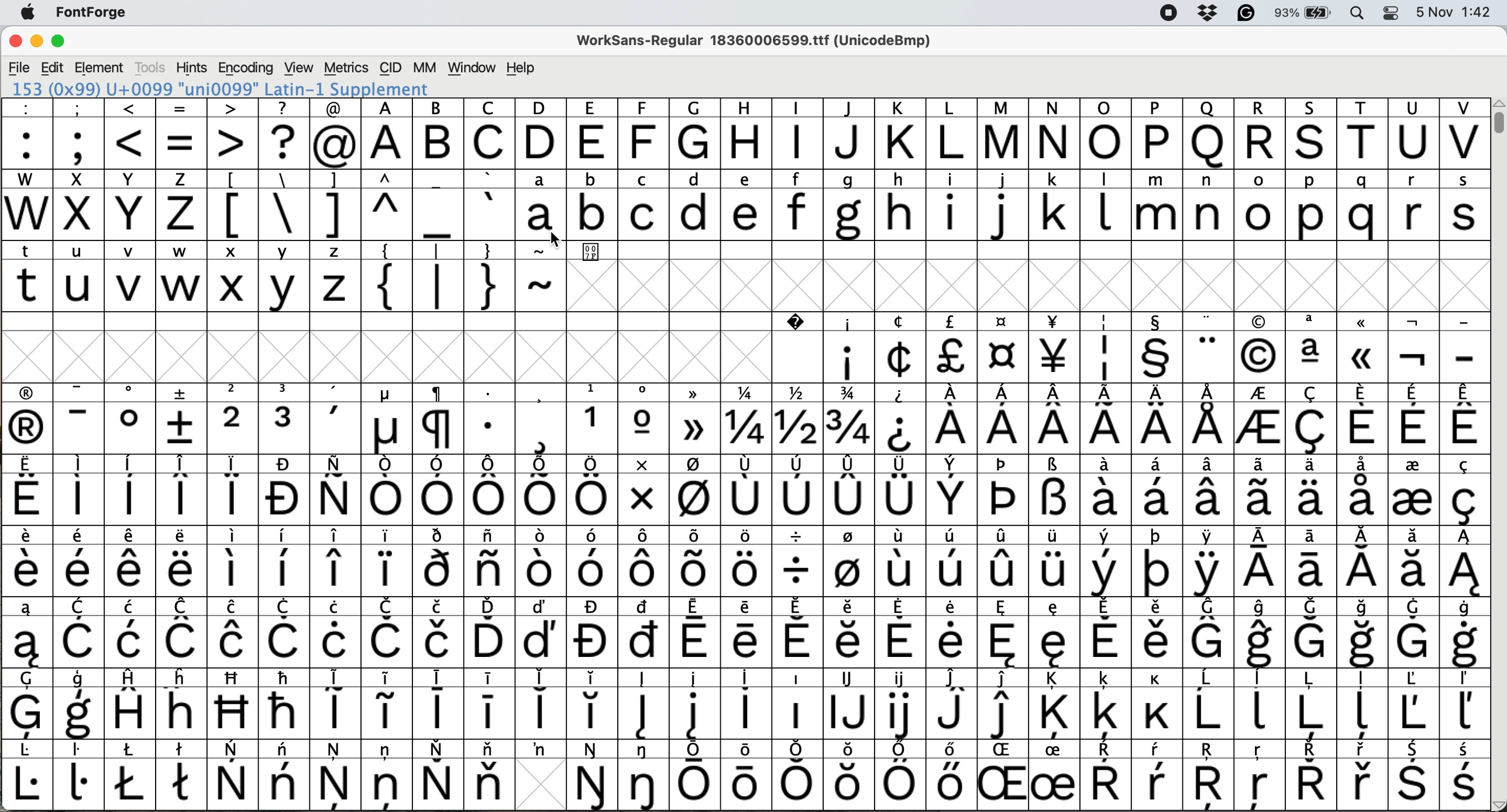 The image size is (1507, 812). Describe the element at coordinates (59, 43) in the screenshot. I see `maximise` at that location.